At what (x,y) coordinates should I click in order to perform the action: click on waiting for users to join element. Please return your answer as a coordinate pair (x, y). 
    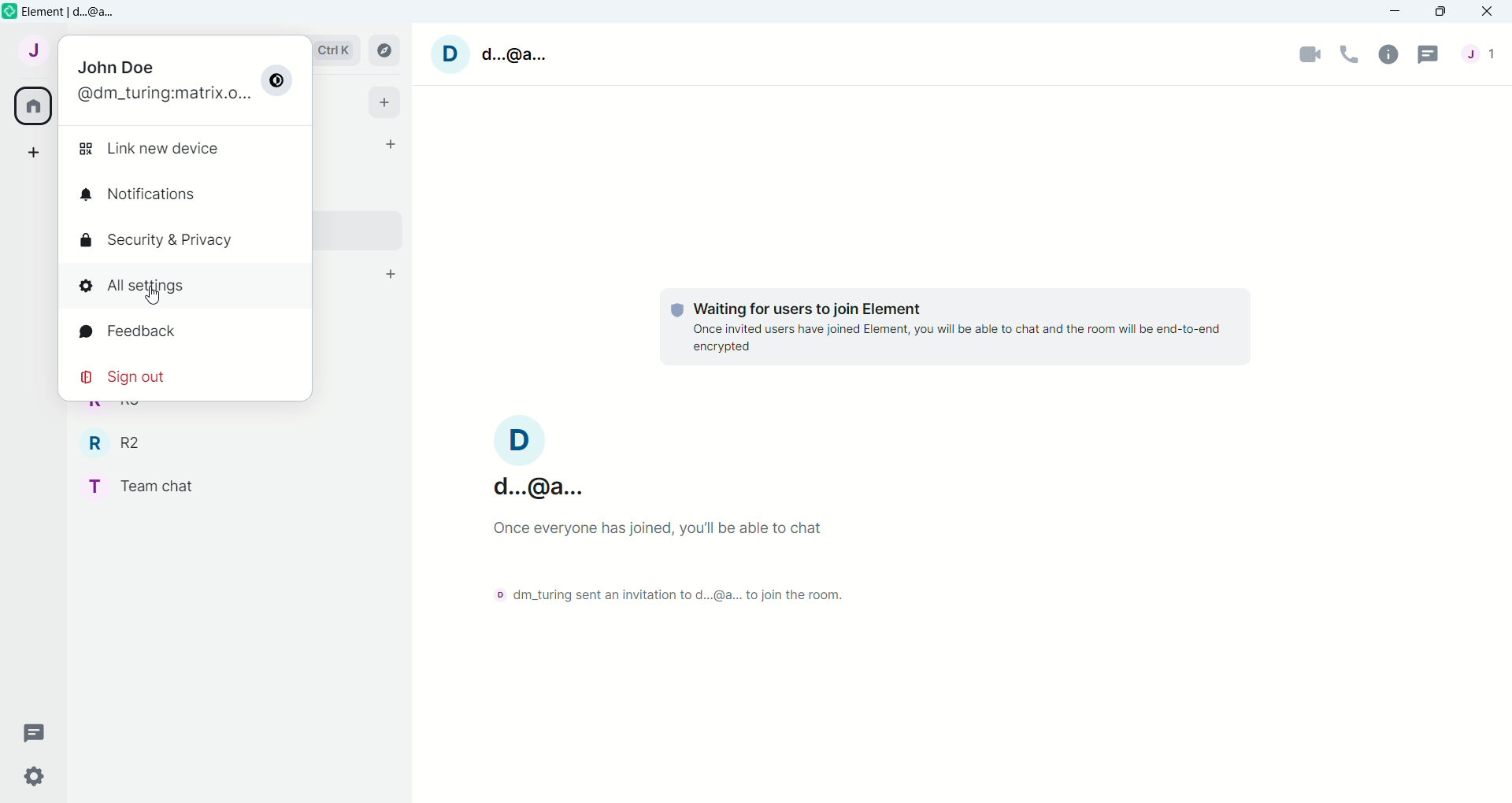
    Looking at the image, I should click on (780, 304).